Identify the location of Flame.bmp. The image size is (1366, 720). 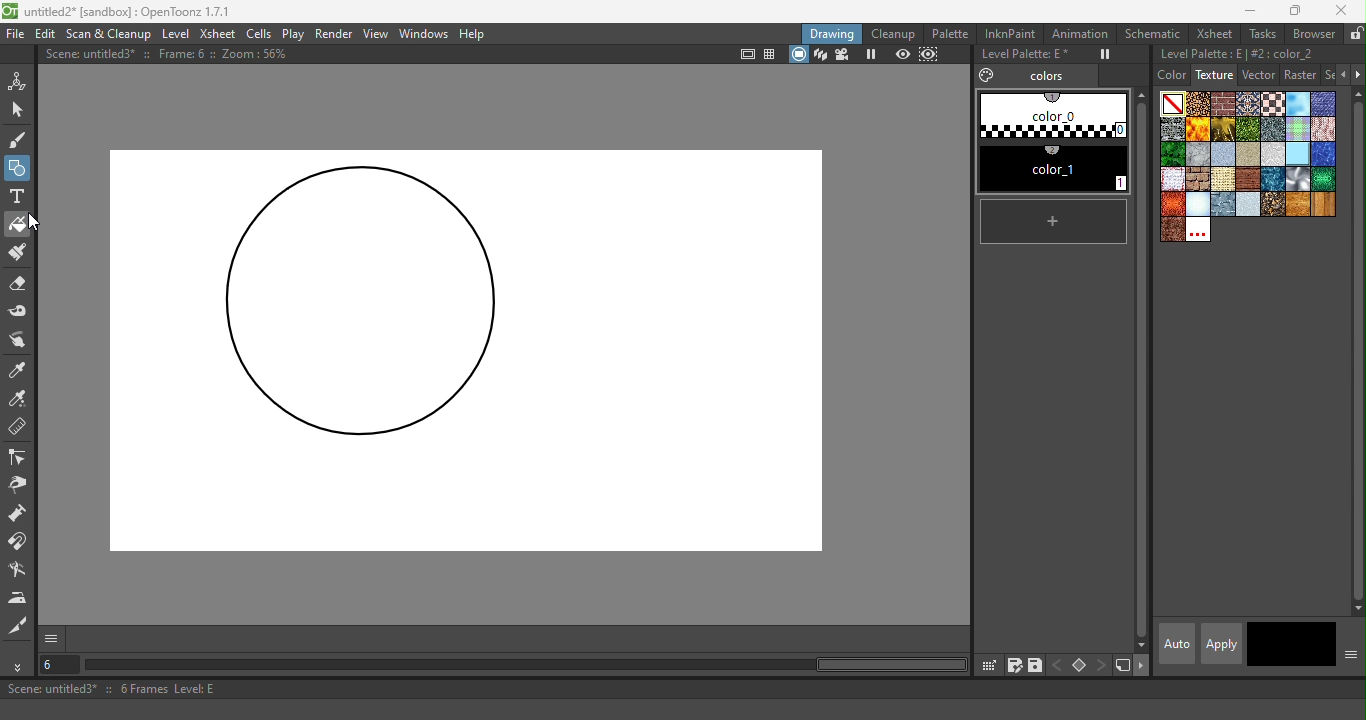
(1199, 129).